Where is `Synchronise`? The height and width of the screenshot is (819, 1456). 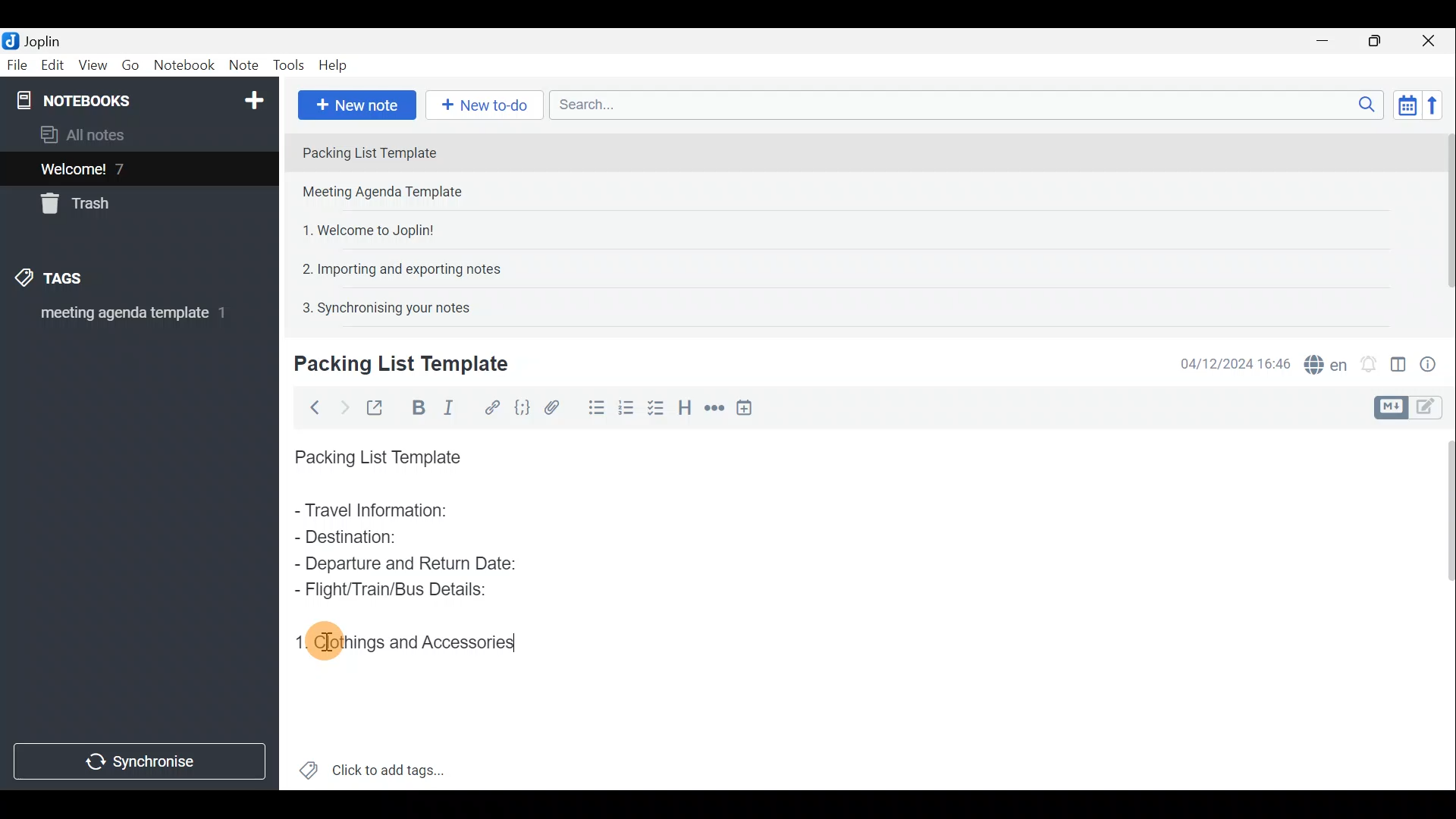
Synchronise is located at coordinates (142, 764).